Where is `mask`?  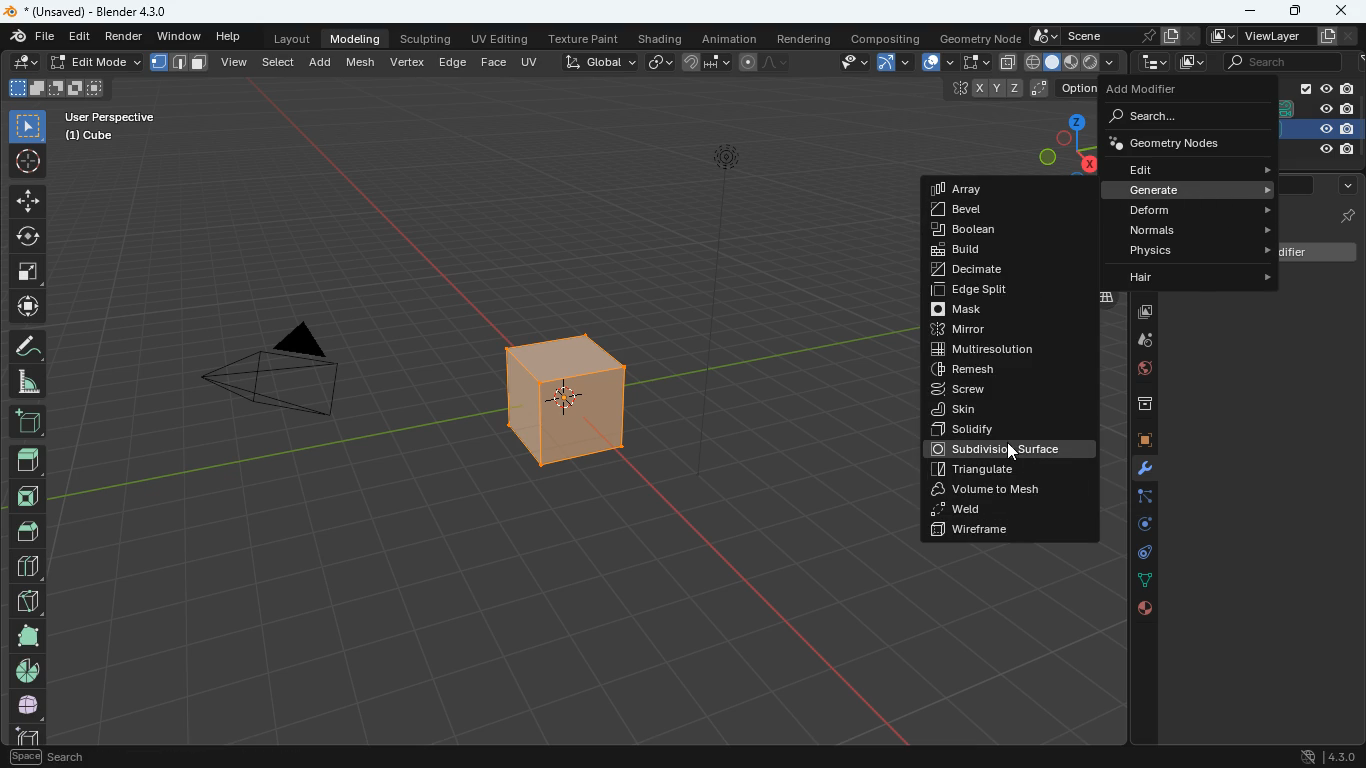 mask is located at coordinates (991, 310).